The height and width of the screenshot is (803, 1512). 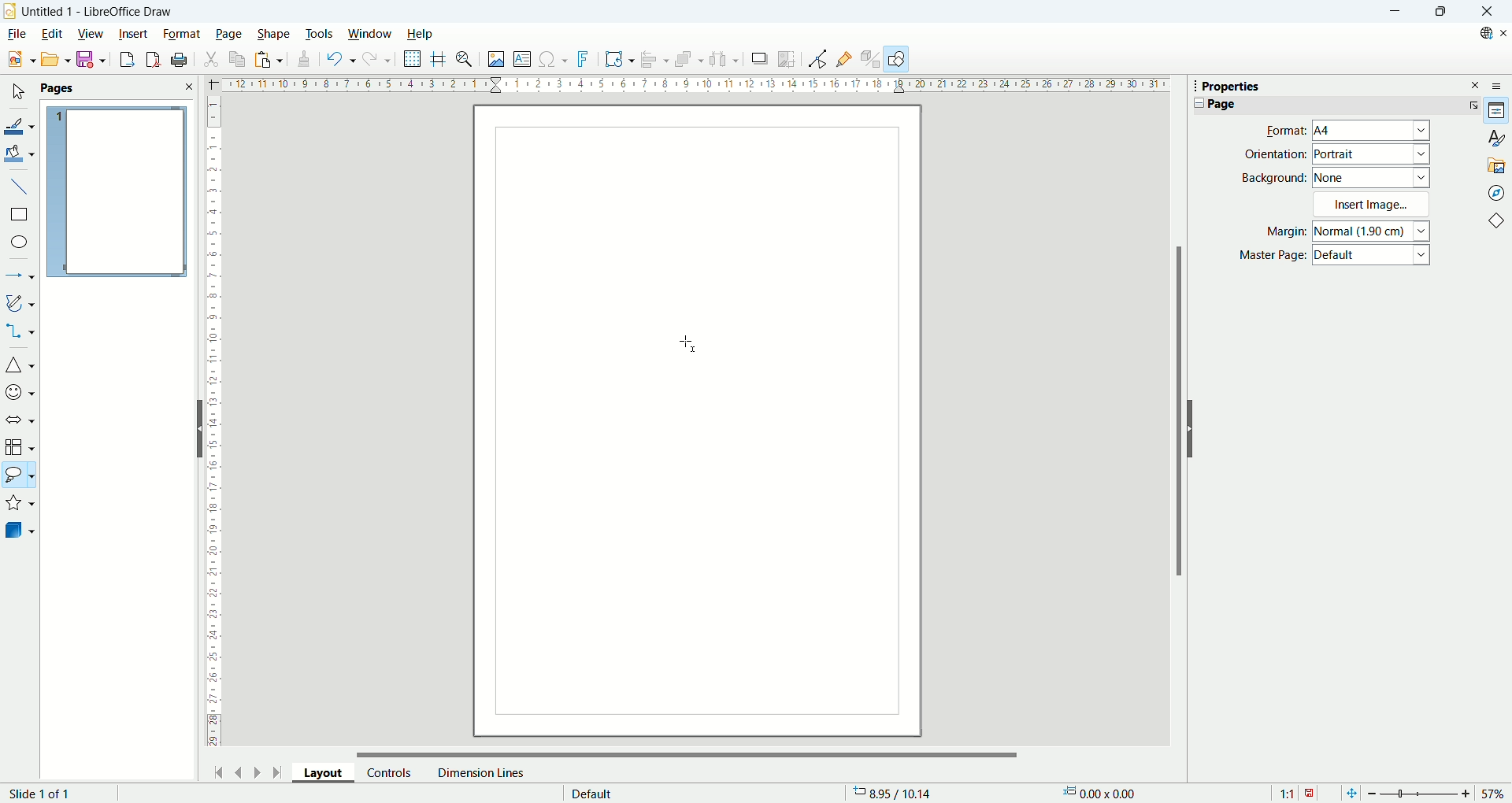 I want to click on Navigator, so click(x=1496, y=192).